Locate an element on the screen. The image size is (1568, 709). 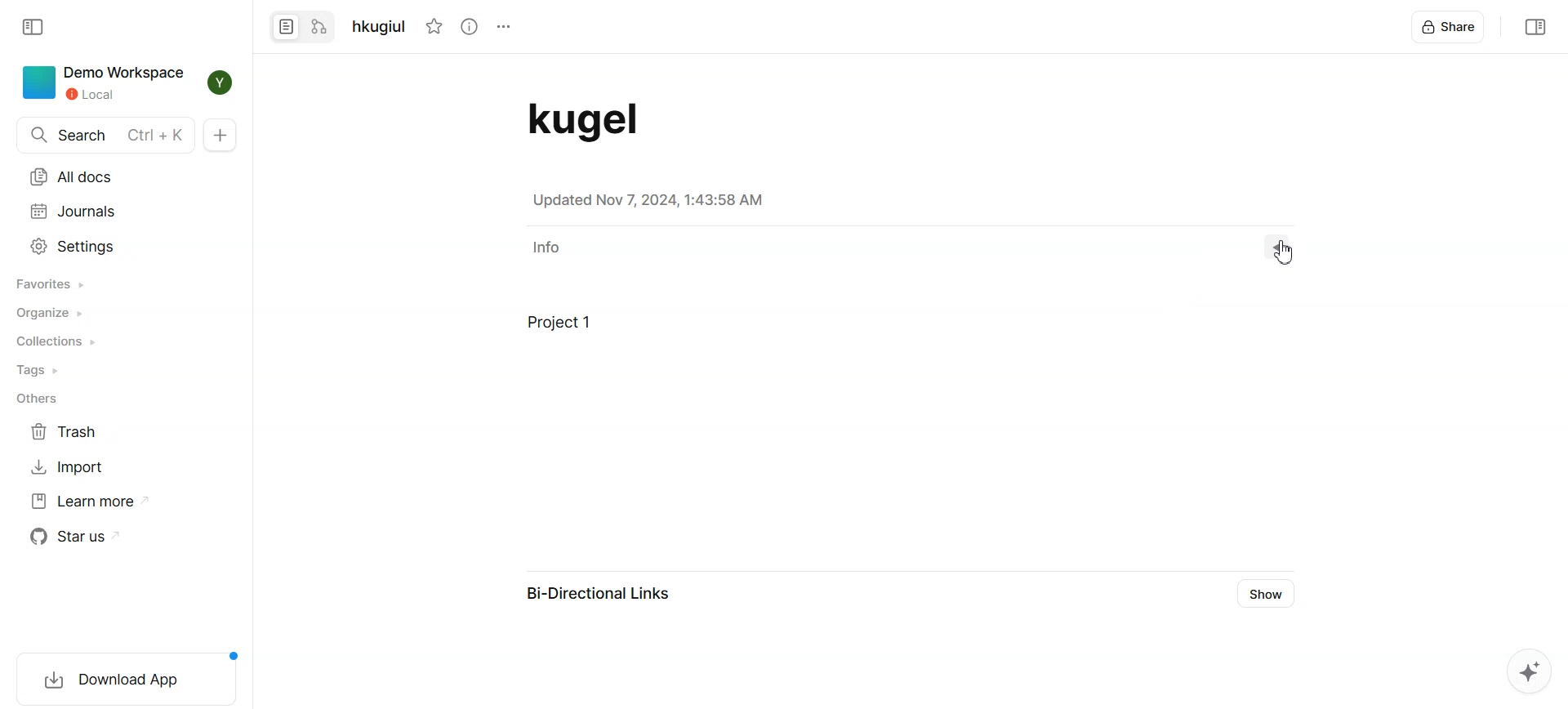
Project 1 is located at coordinates (724, 332).